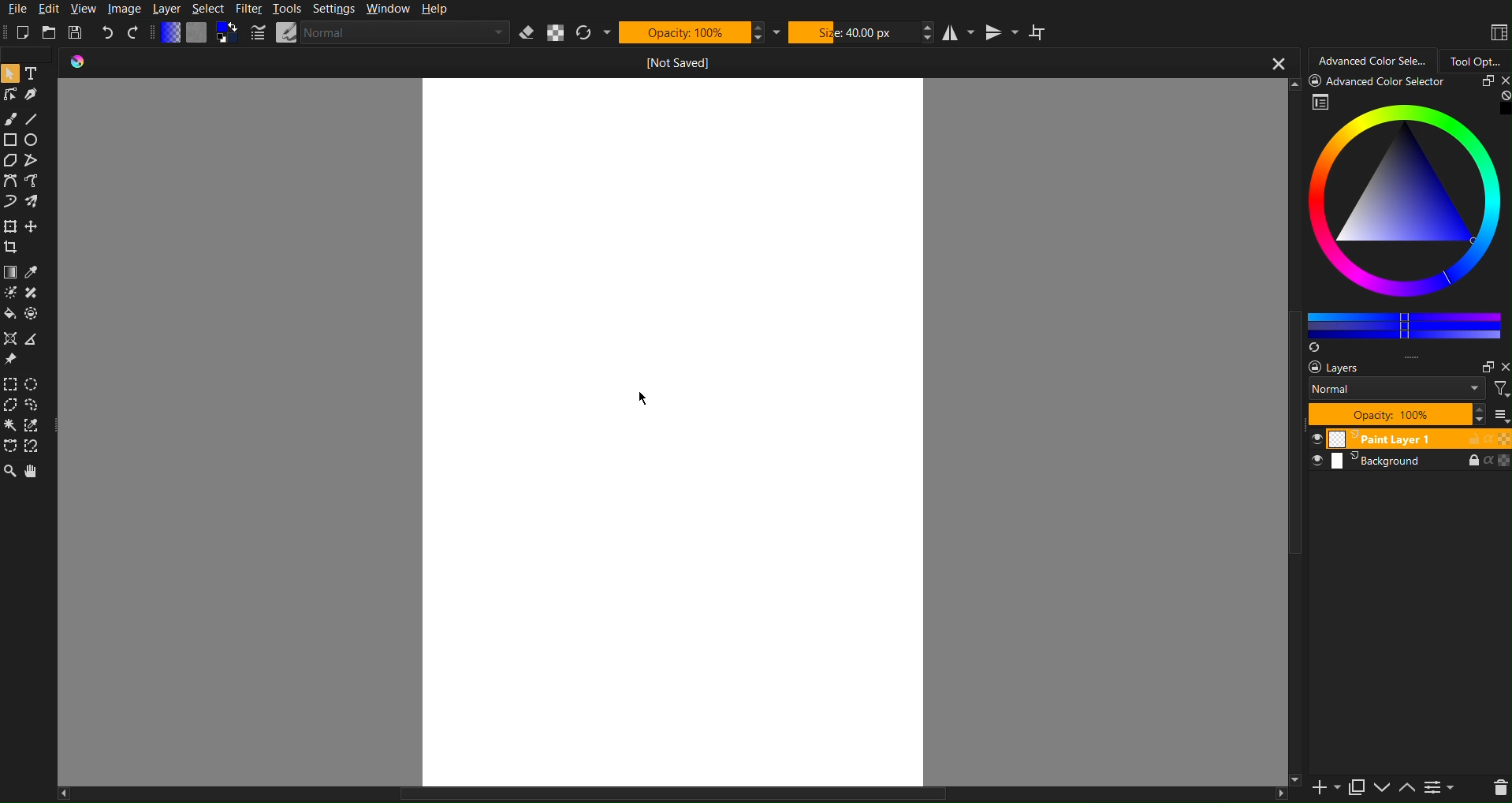  Describe the element at coordinates (1486, 438) in the screenshot. I see `alpha` at that location.